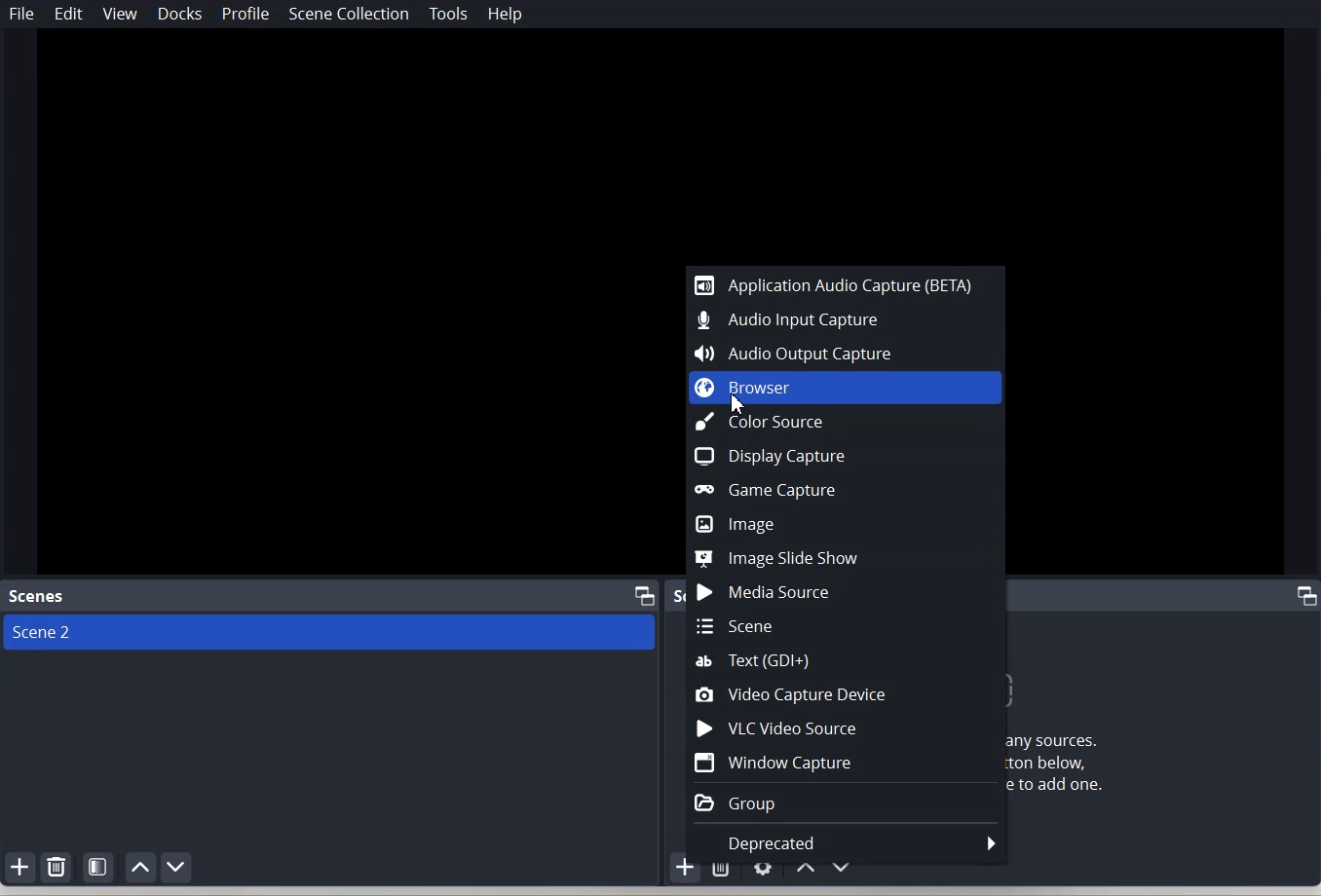  Describe the element at coordinates (847, 421) in the screenshot. I see `Color Source` at that location.